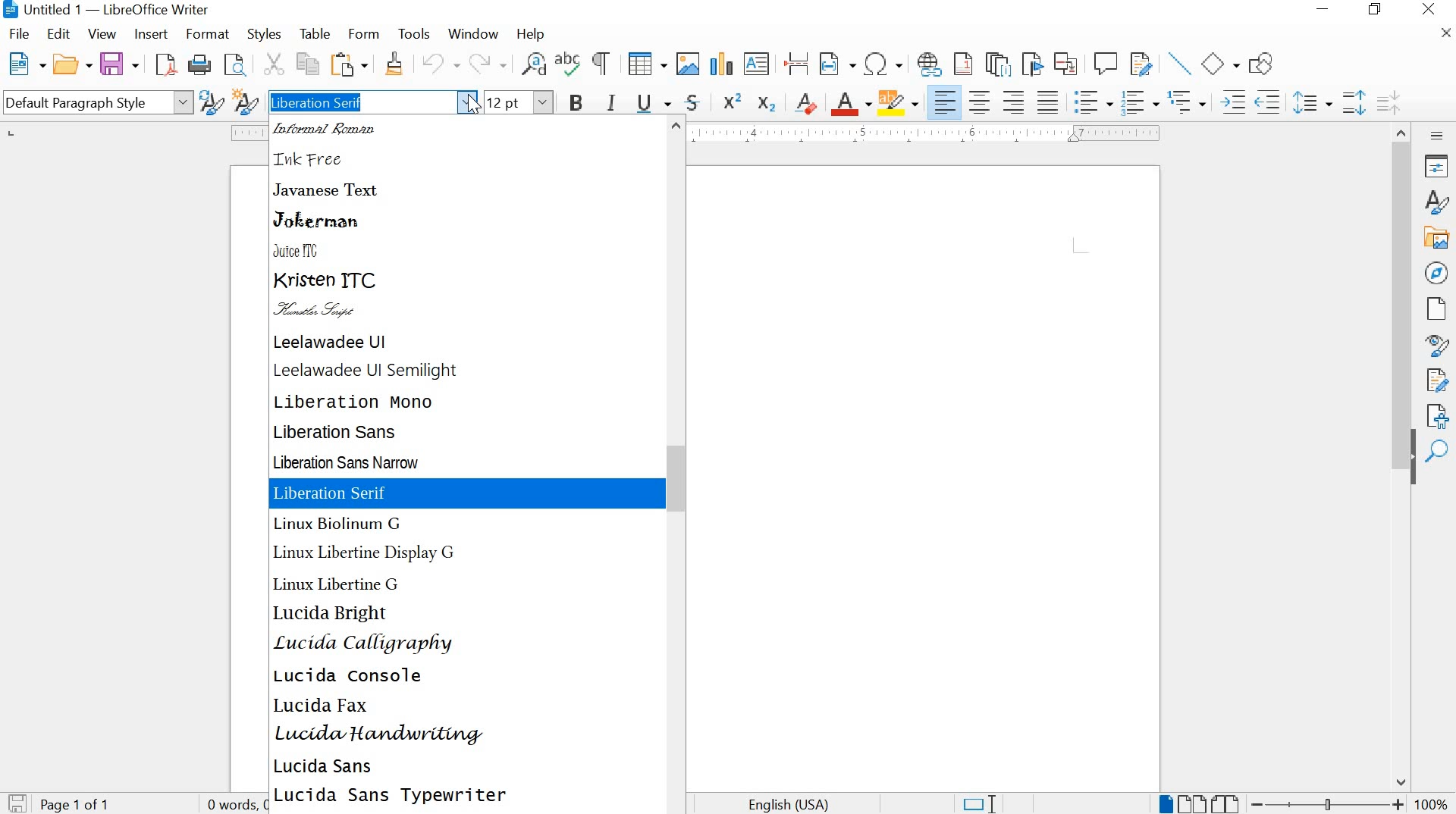 This screenshot has height=814, width=1456. Describe the element at coordinates (1221, 62) in the screenshot. I see `BASIC SHAPES` at that location.